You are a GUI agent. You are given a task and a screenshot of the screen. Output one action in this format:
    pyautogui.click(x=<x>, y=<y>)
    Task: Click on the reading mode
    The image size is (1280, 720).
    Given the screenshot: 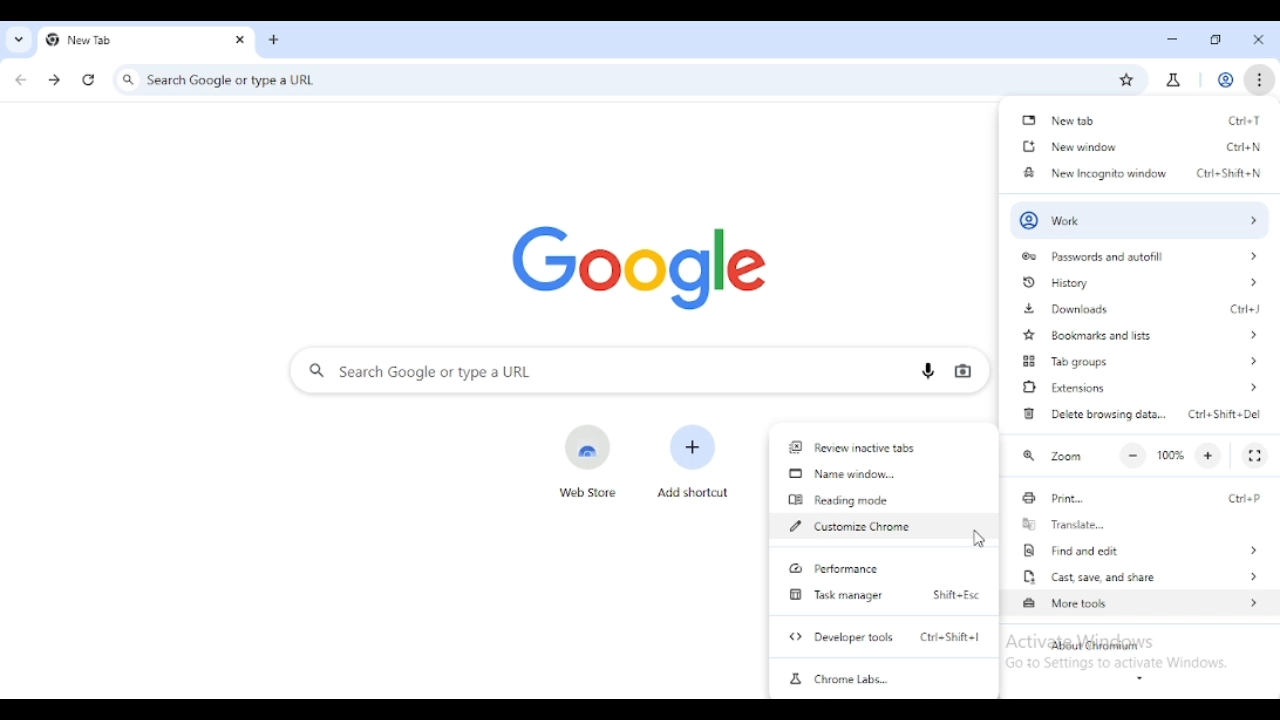 What is the action you would take?
    pyautogui.click(x=841, y=499)
    